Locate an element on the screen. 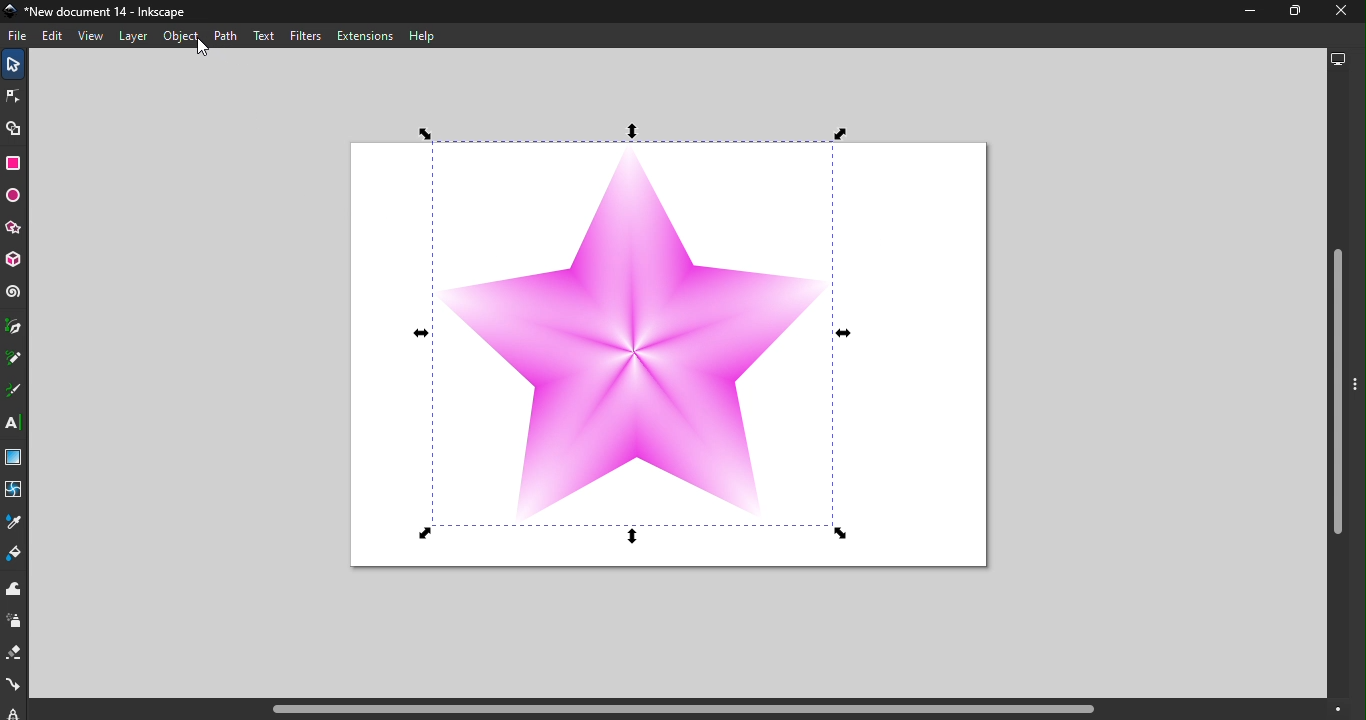 The image size is (1366, 720). Eraser tool is located at coordinates (16, 653).